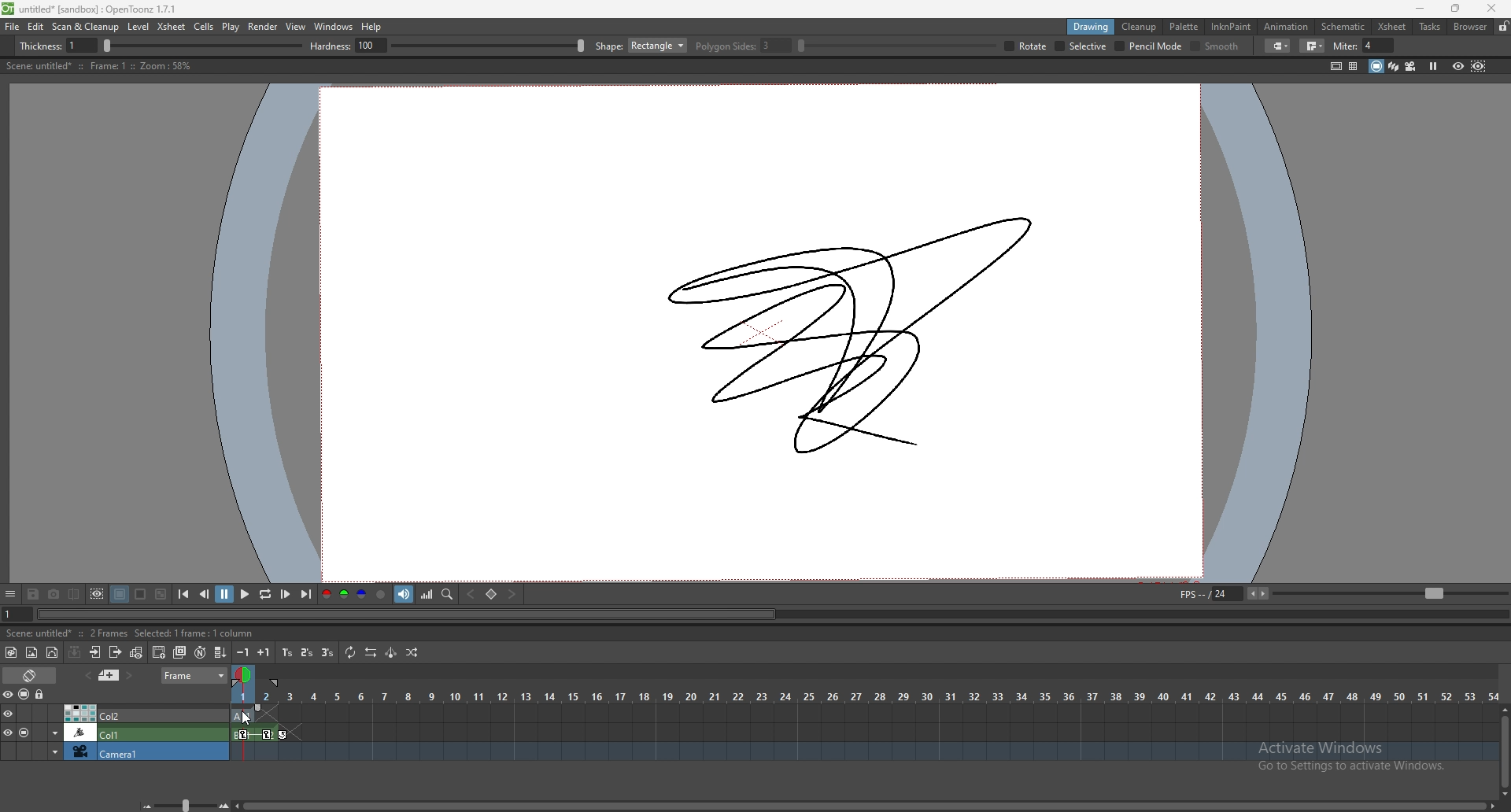 The height and width of the screenshot is (812, 1511). What do you see at coordinates (864, 733) in the screenshot?
I see `timeline` at bounding box center [864, 733].